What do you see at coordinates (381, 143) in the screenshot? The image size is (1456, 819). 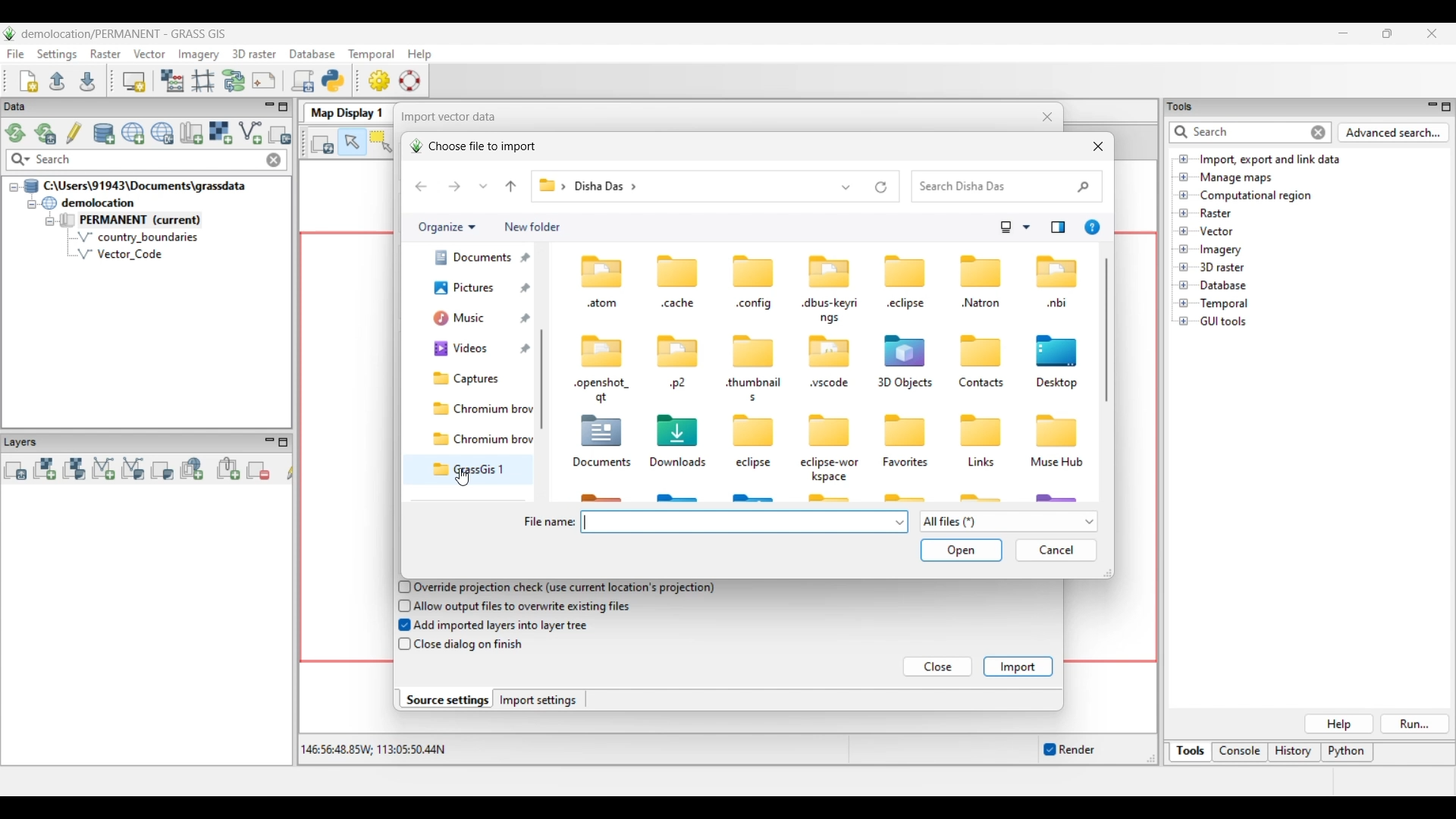 I see `Select vector feature(s)` at bounding box center [381, 143].